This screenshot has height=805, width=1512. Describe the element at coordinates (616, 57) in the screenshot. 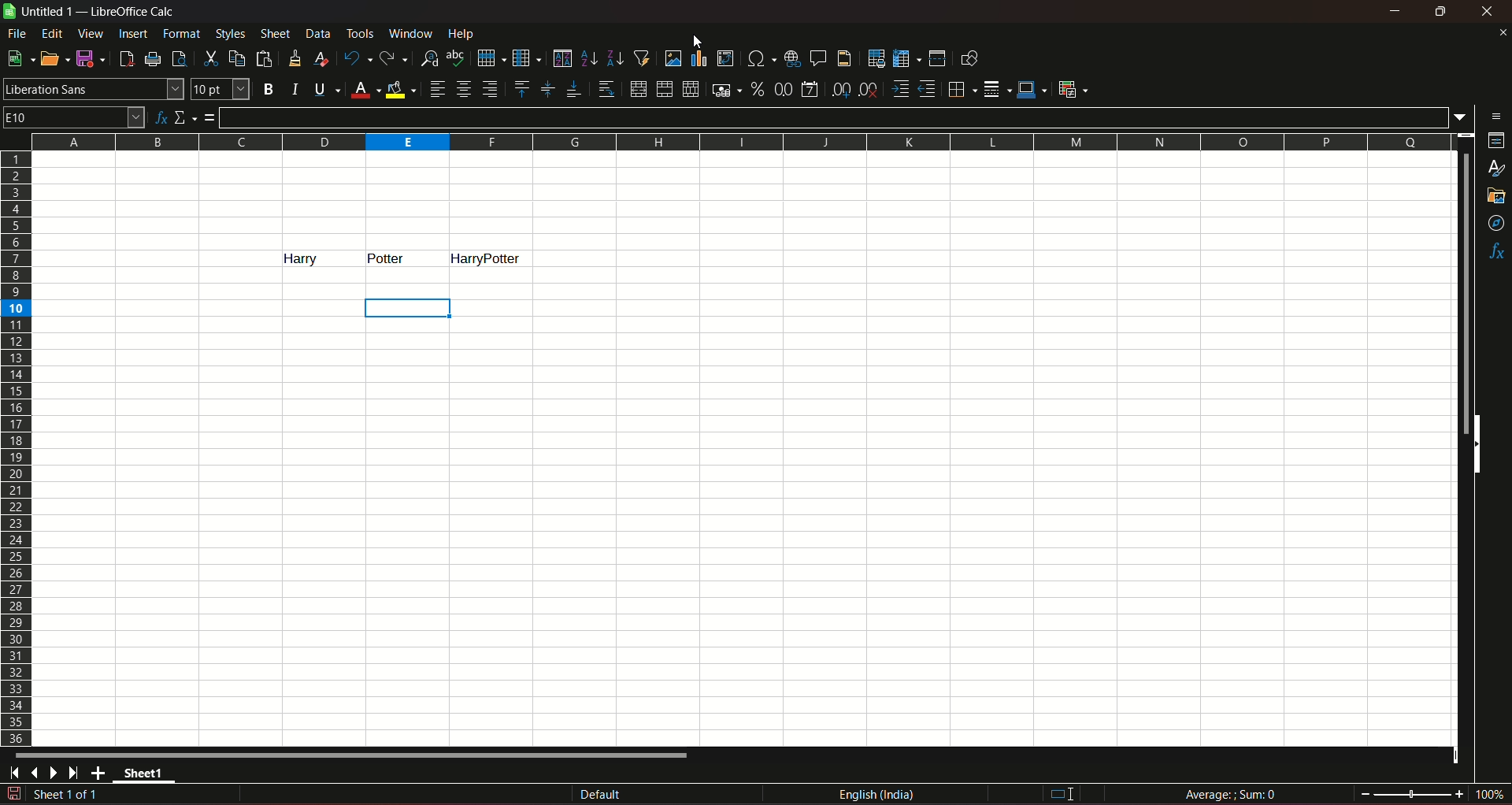

I see `sort desending` at that location.